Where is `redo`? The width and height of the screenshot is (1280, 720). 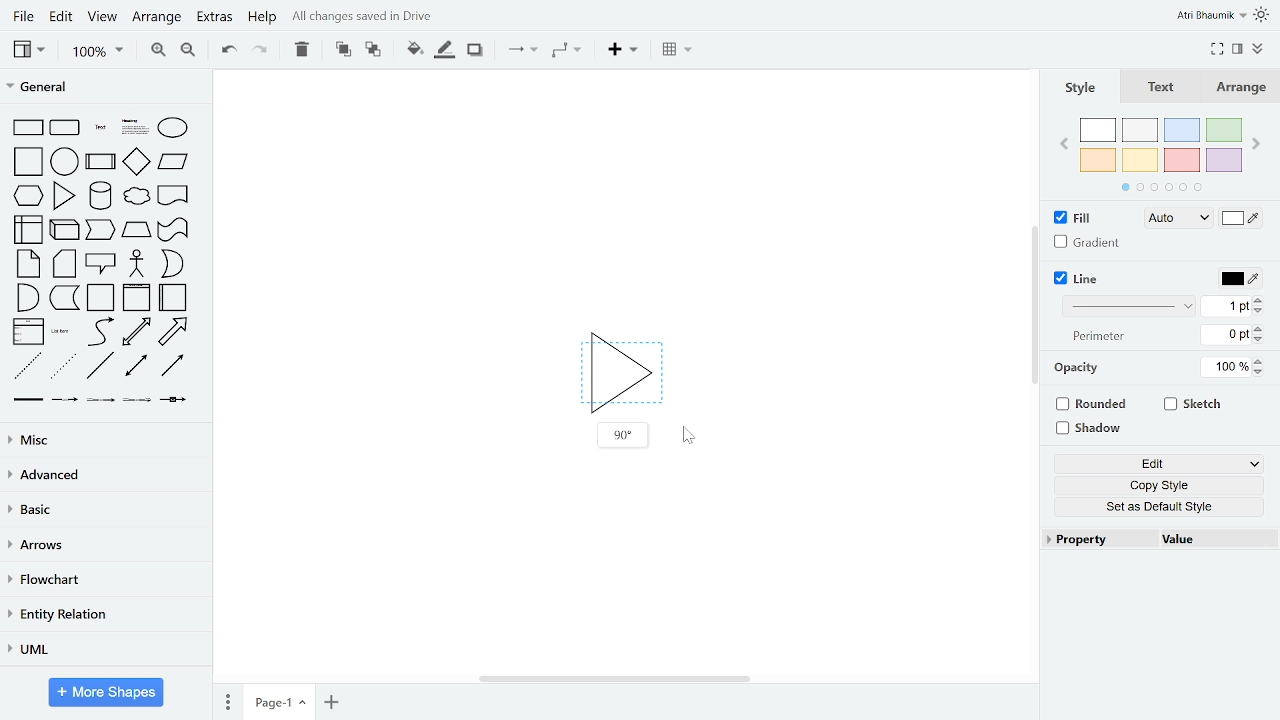
redo is located at coordinates (261, 50).